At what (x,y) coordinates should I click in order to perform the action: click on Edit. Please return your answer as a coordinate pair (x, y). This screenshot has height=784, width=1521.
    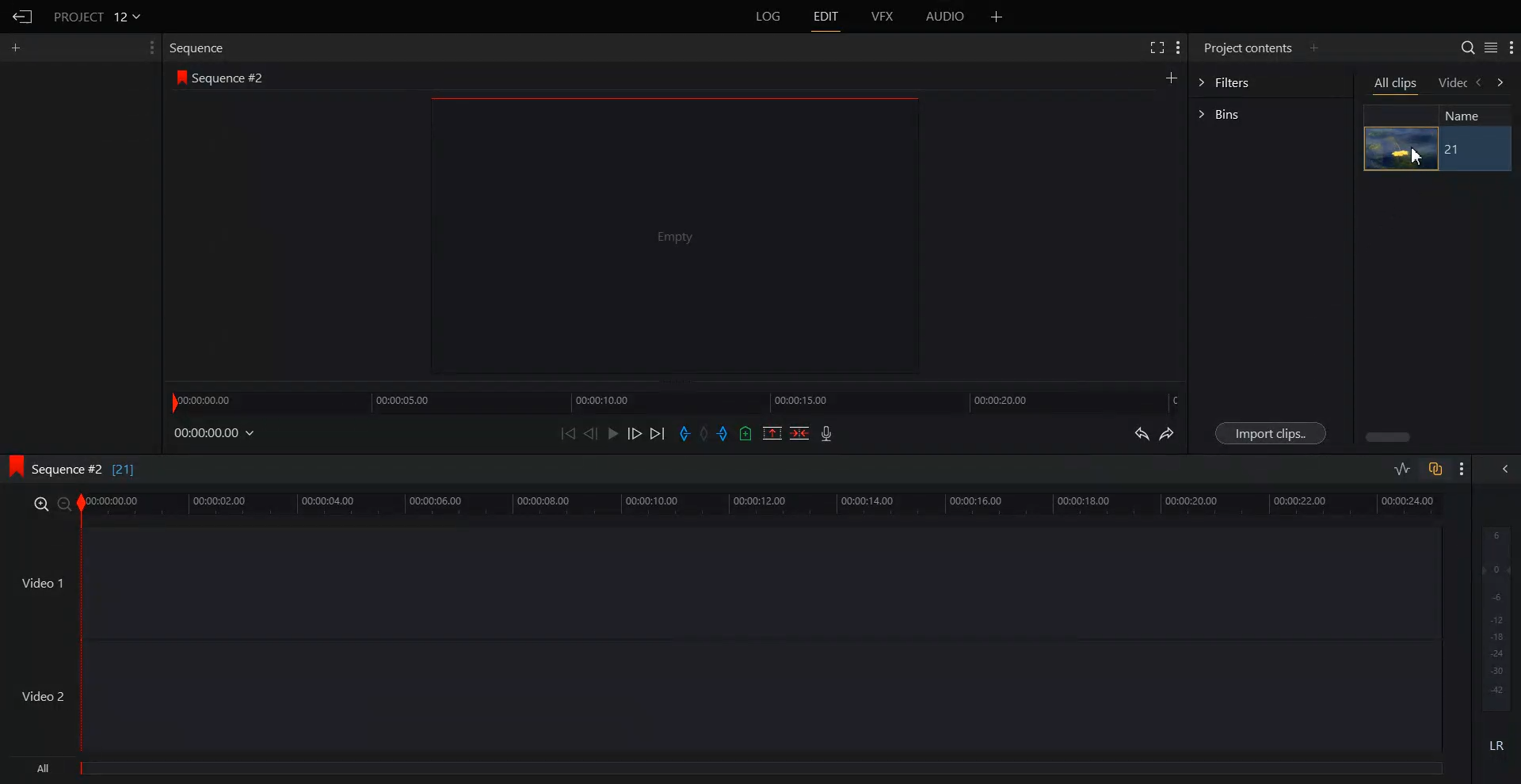
    Looking at the image, I should click on (825, 17).